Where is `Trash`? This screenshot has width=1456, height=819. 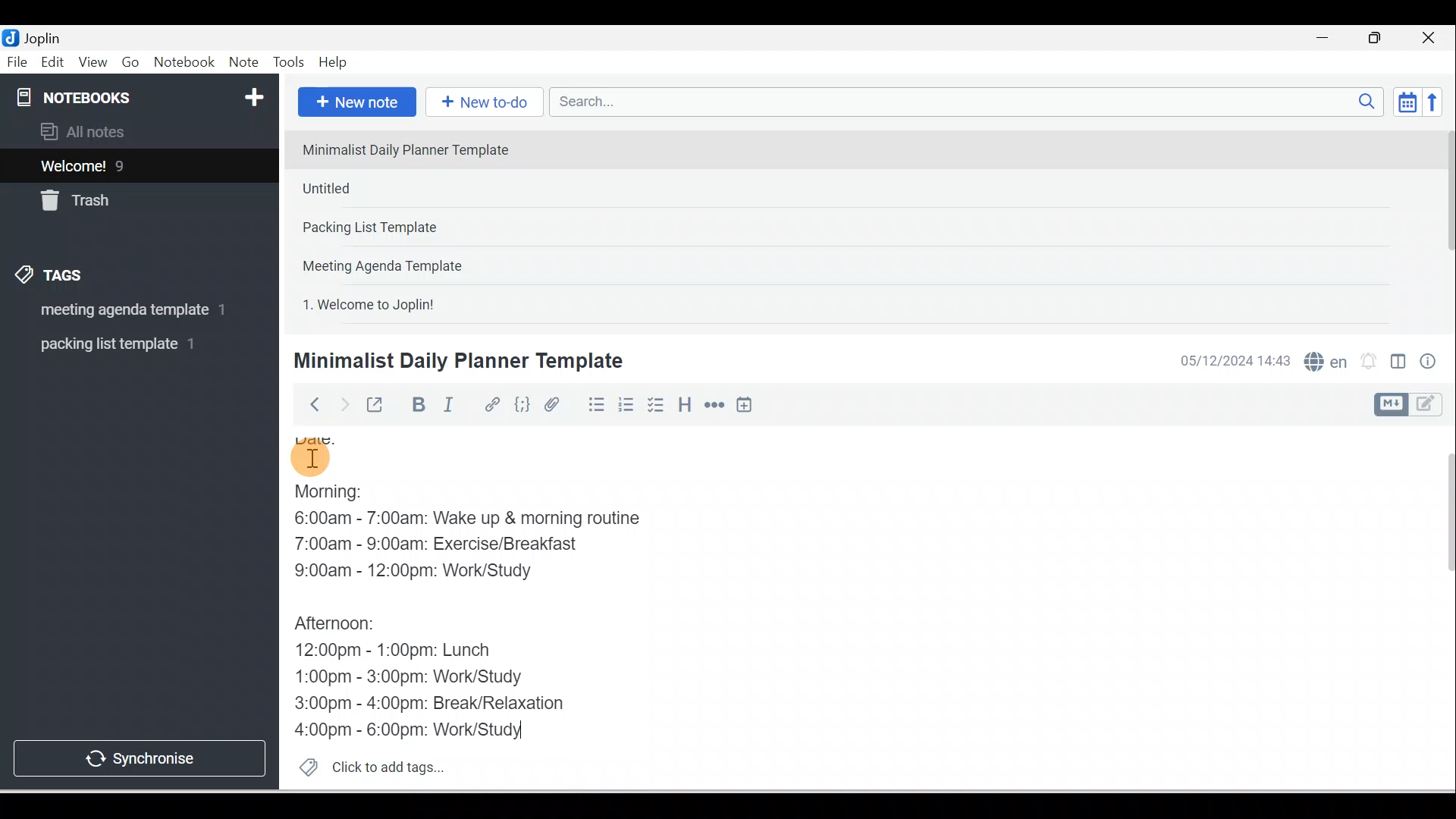 Trash is located at coordinates (111, 196).